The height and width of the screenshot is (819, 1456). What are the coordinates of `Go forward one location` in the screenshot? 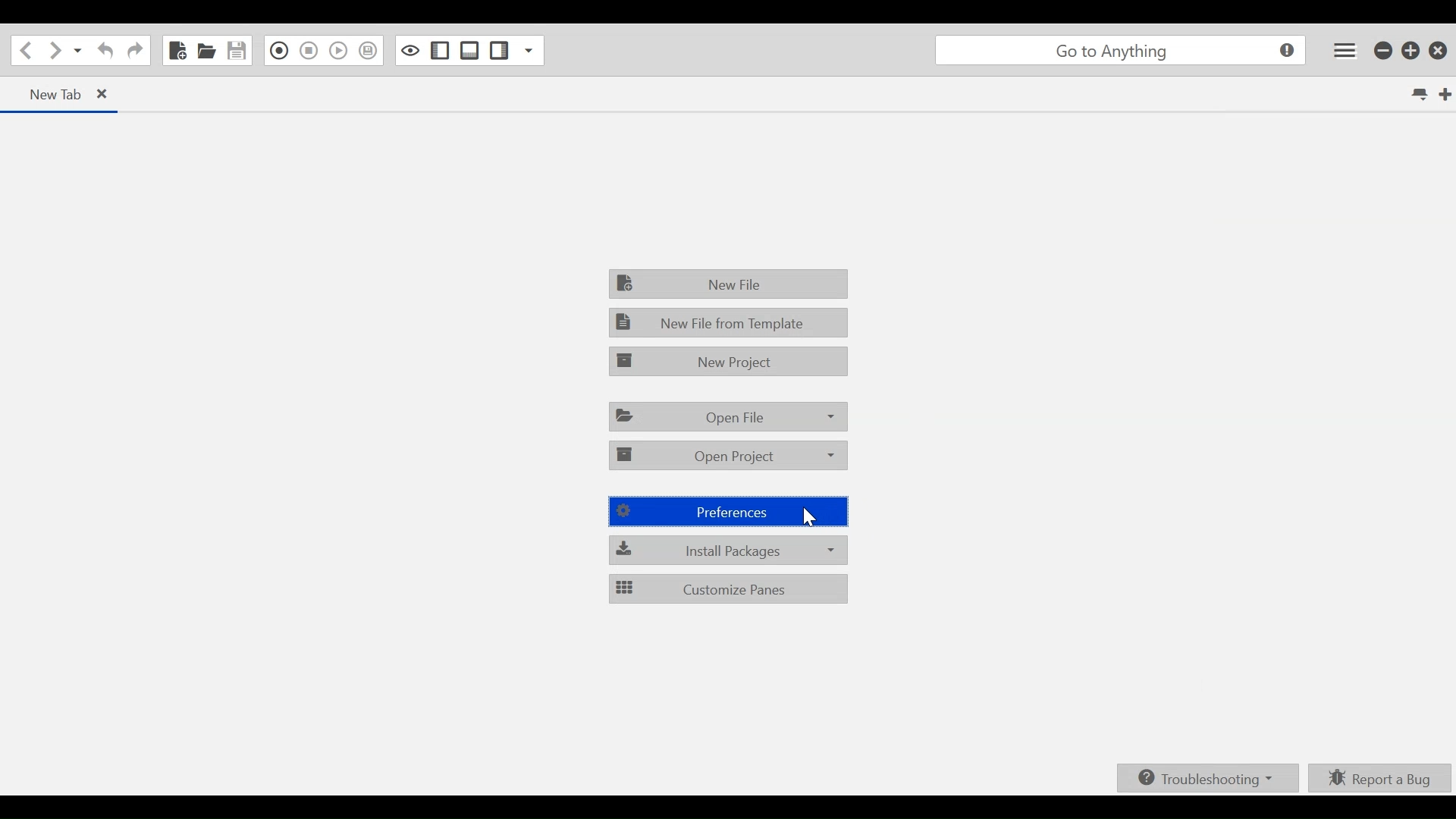 It's located at (54, 52).